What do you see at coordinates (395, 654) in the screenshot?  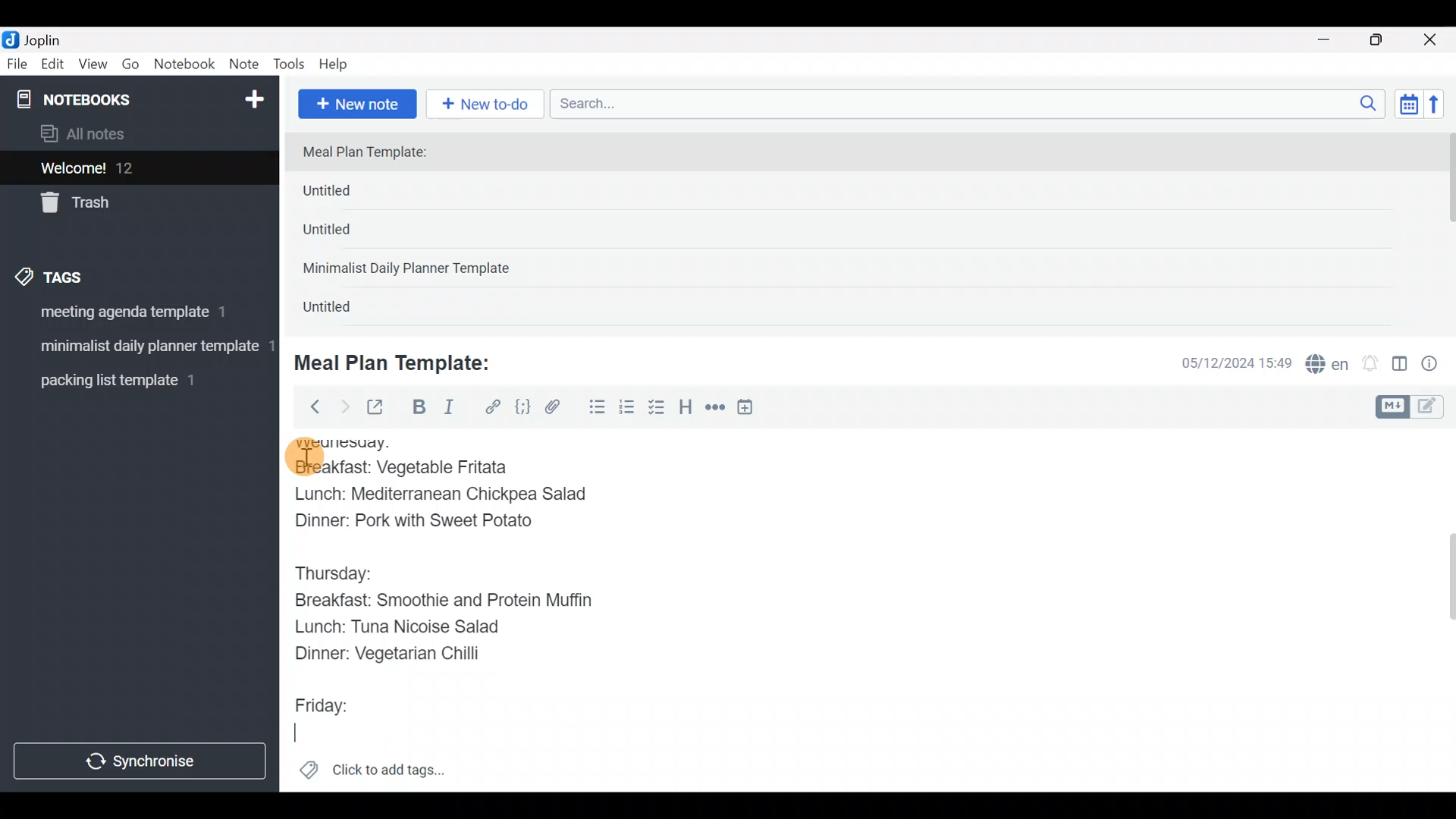 I see `Dinner: Vegetarian Chilli` at bounding box center [395, 654].